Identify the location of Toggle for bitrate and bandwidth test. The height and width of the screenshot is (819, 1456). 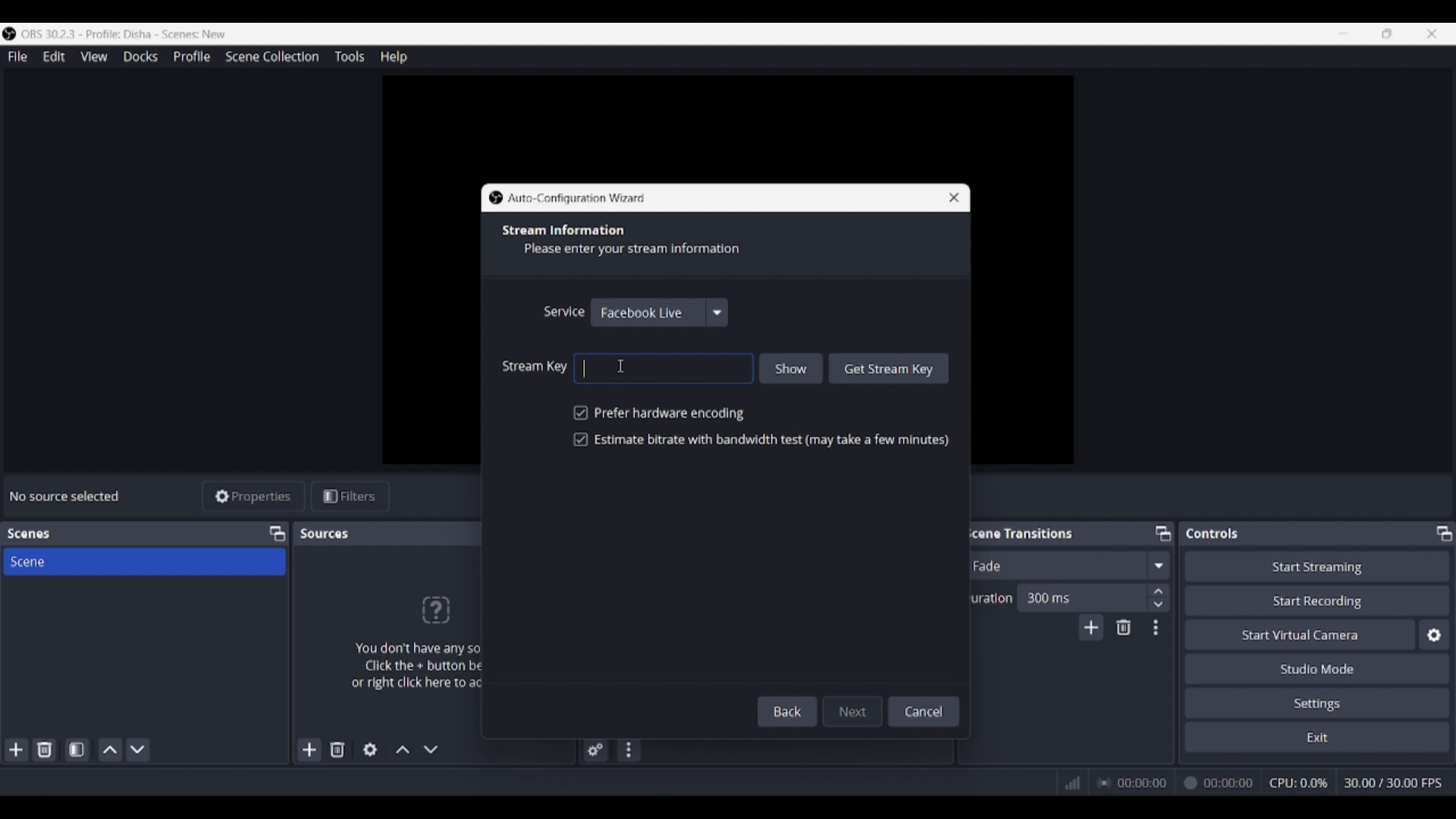
(761, 439).